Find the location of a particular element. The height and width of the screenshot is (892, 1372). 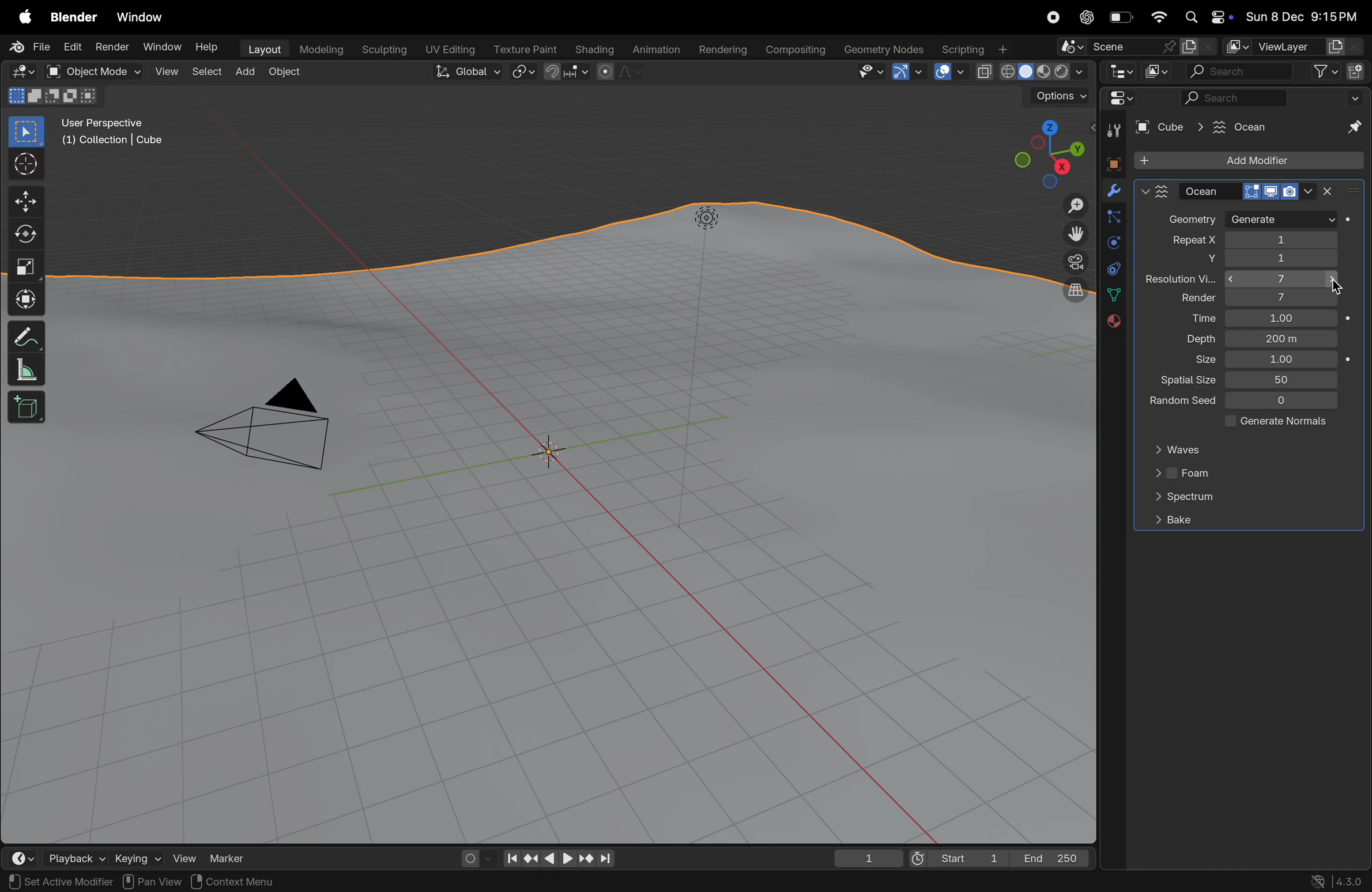

scripting is located at coordinates (973, 50).